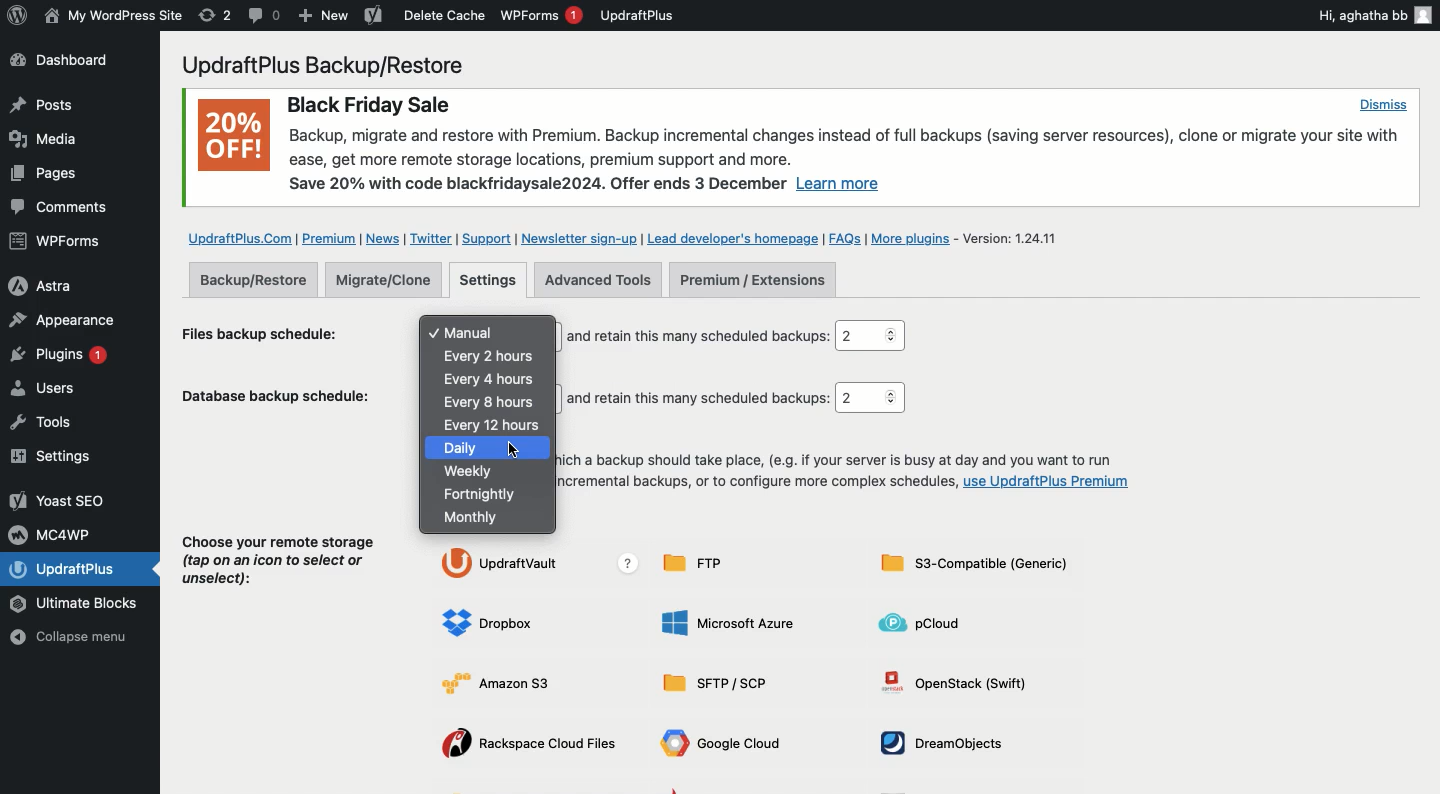  What do you see at coordinates (698, 336) in the screenshot?
I see `and retain this many scheduled backups` at bounding box center [698, 336].